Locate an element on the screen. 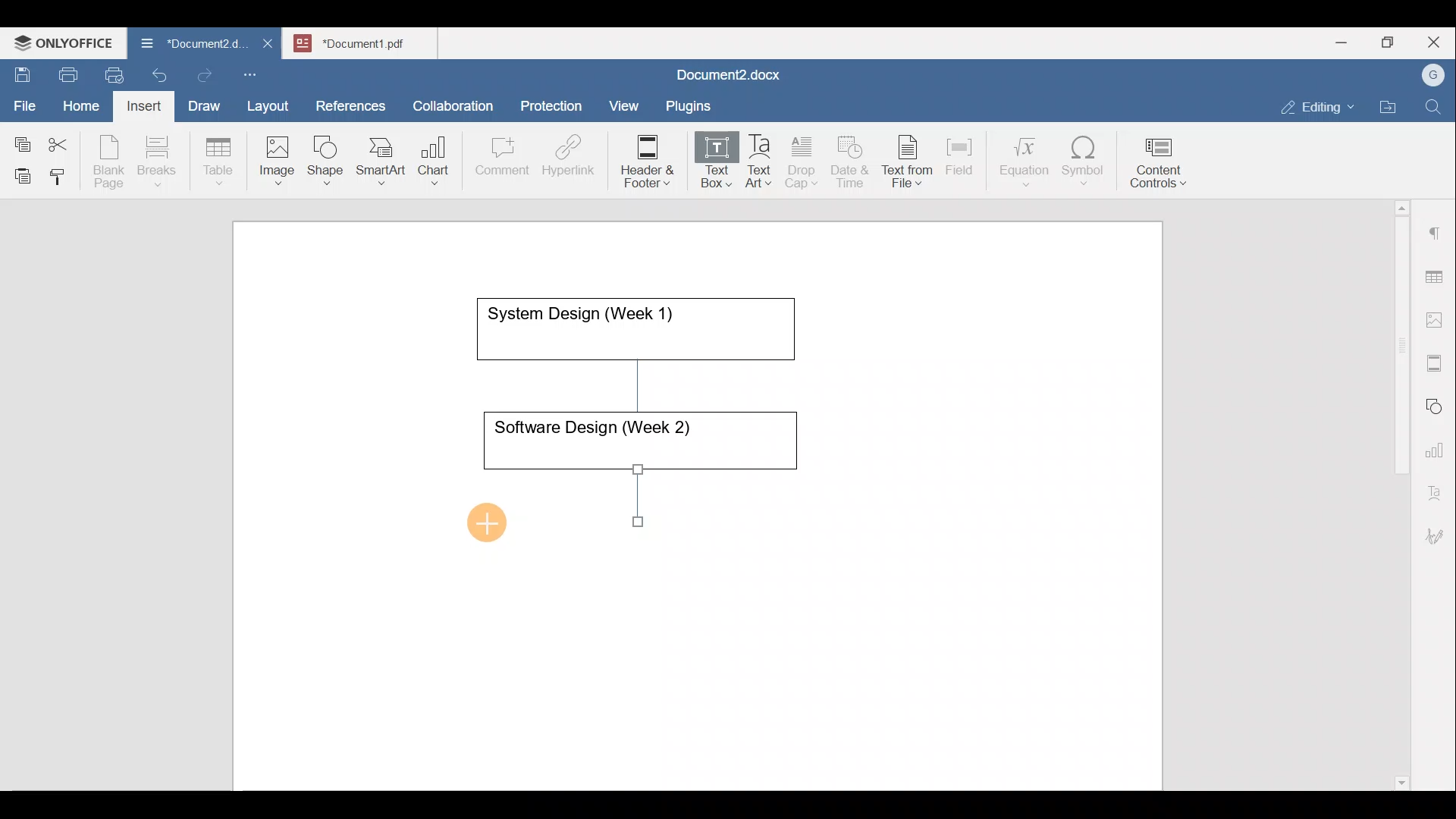 This screenshot has width=1456, height=819. Document name is located at coordinates (369, 41).